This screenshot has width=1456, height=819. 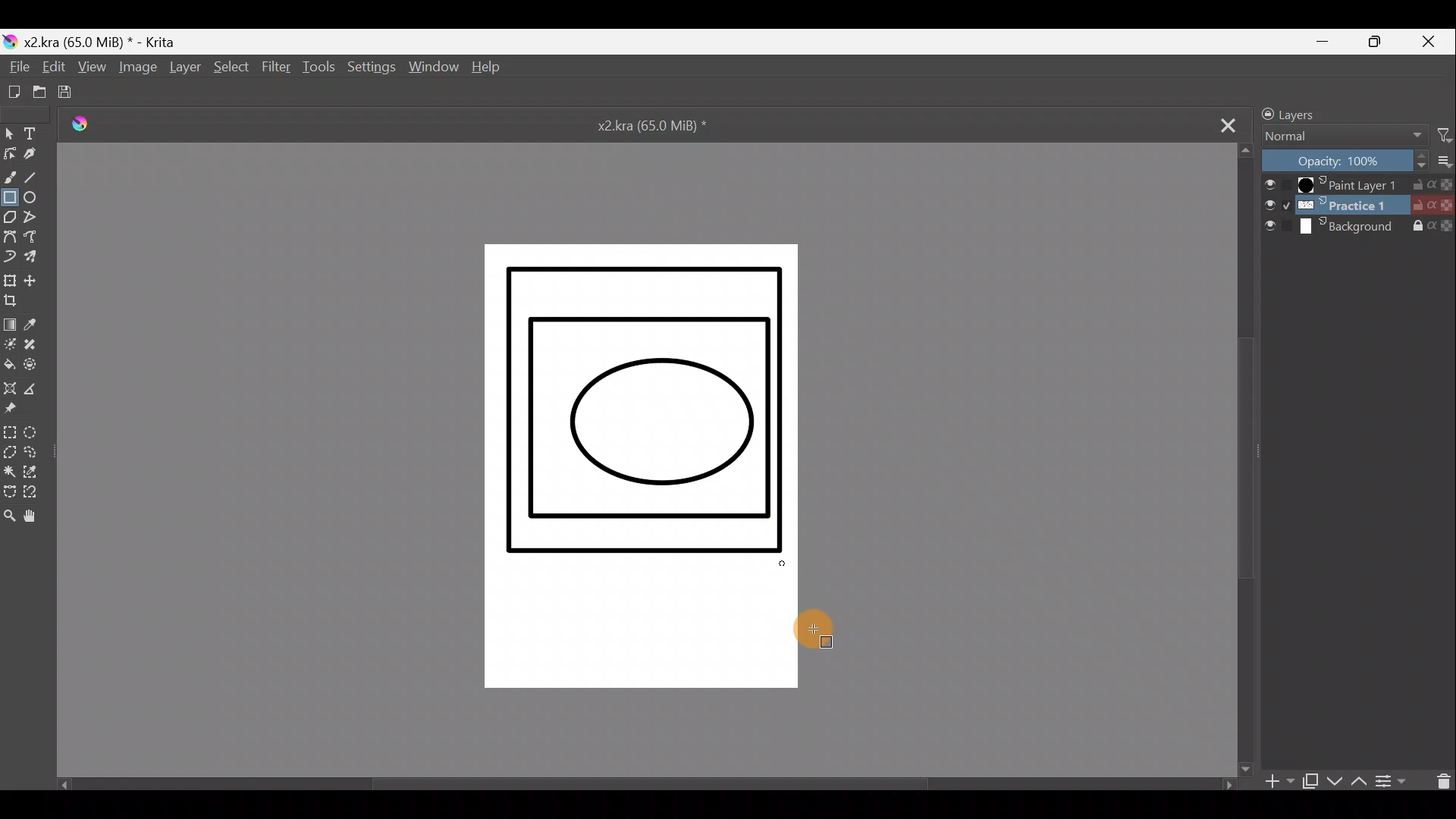 What do you see at coordinates (1445, 158) in the screenshot?
I see `More` at bounding box center [1445, 158].